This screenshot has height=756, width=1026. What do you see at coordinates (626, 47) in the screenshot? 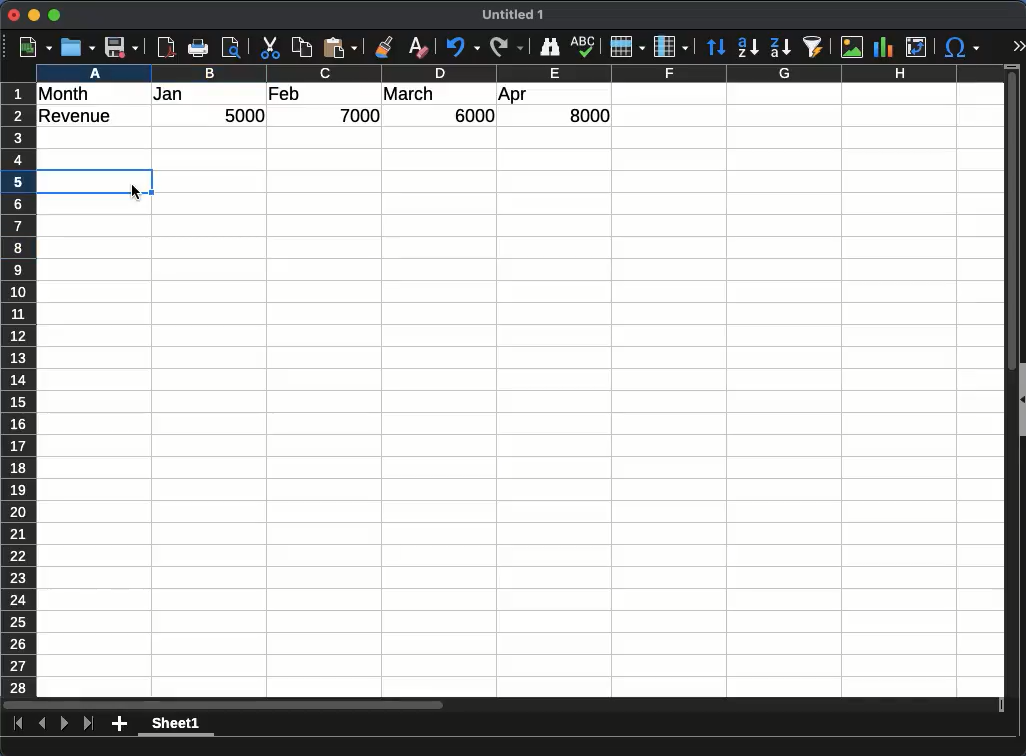
I see `row` at bounding box center [626, 47].